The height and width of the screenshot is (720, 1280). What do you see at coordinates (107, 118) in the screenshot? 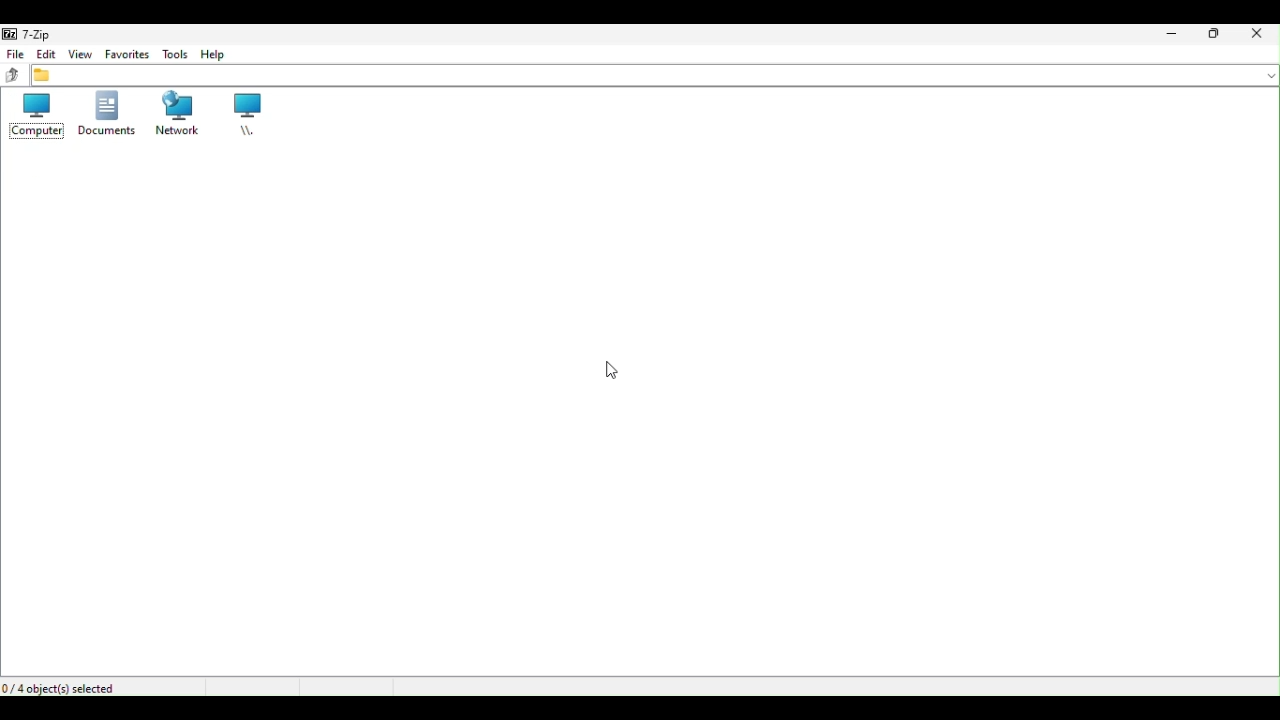
I see `Documents` at bounding box center [107, 118].